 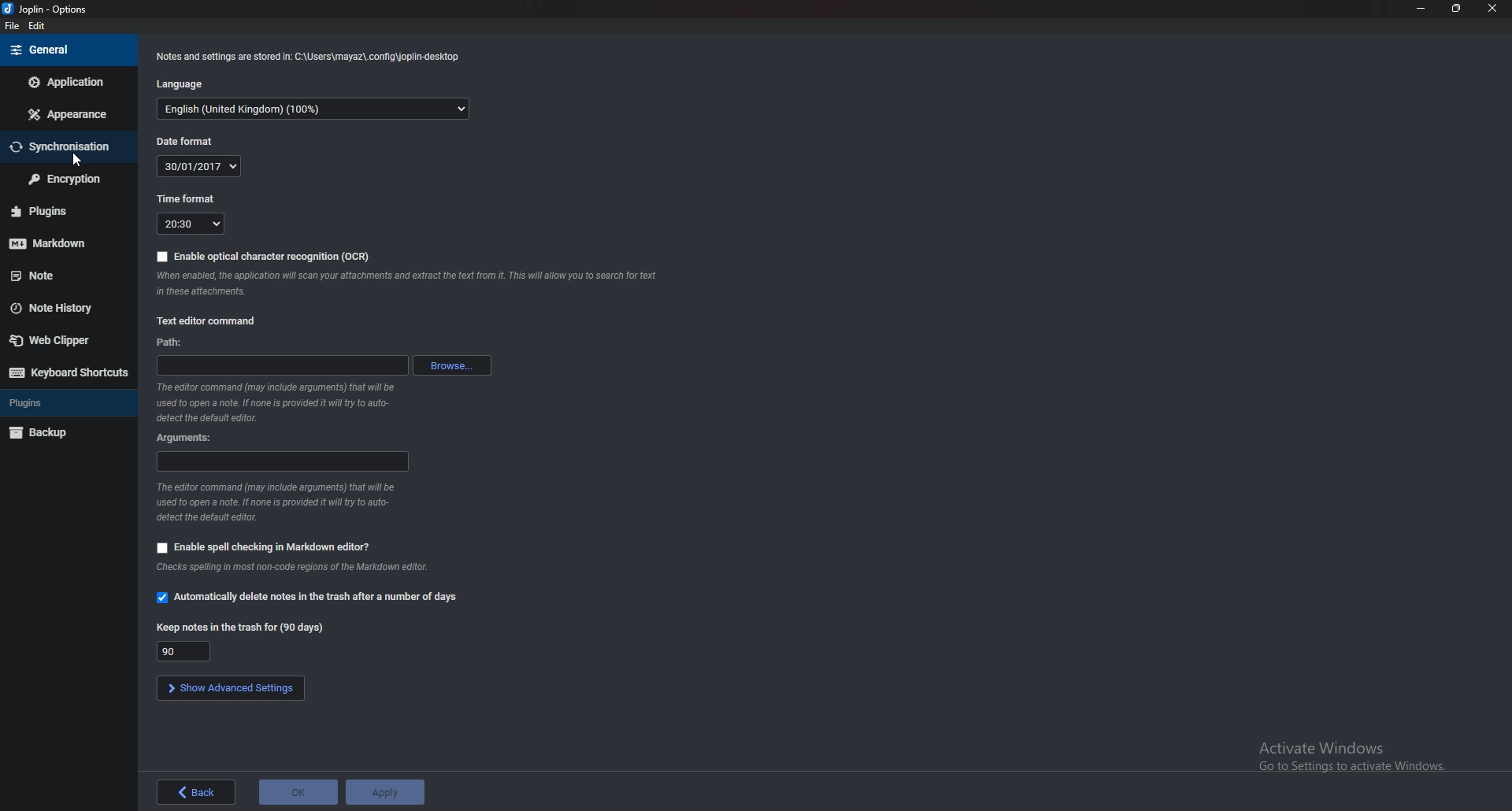 What do you see at coordinates (291, 568) in the screenshot?
I see `info` at bounding box center [291, 568].